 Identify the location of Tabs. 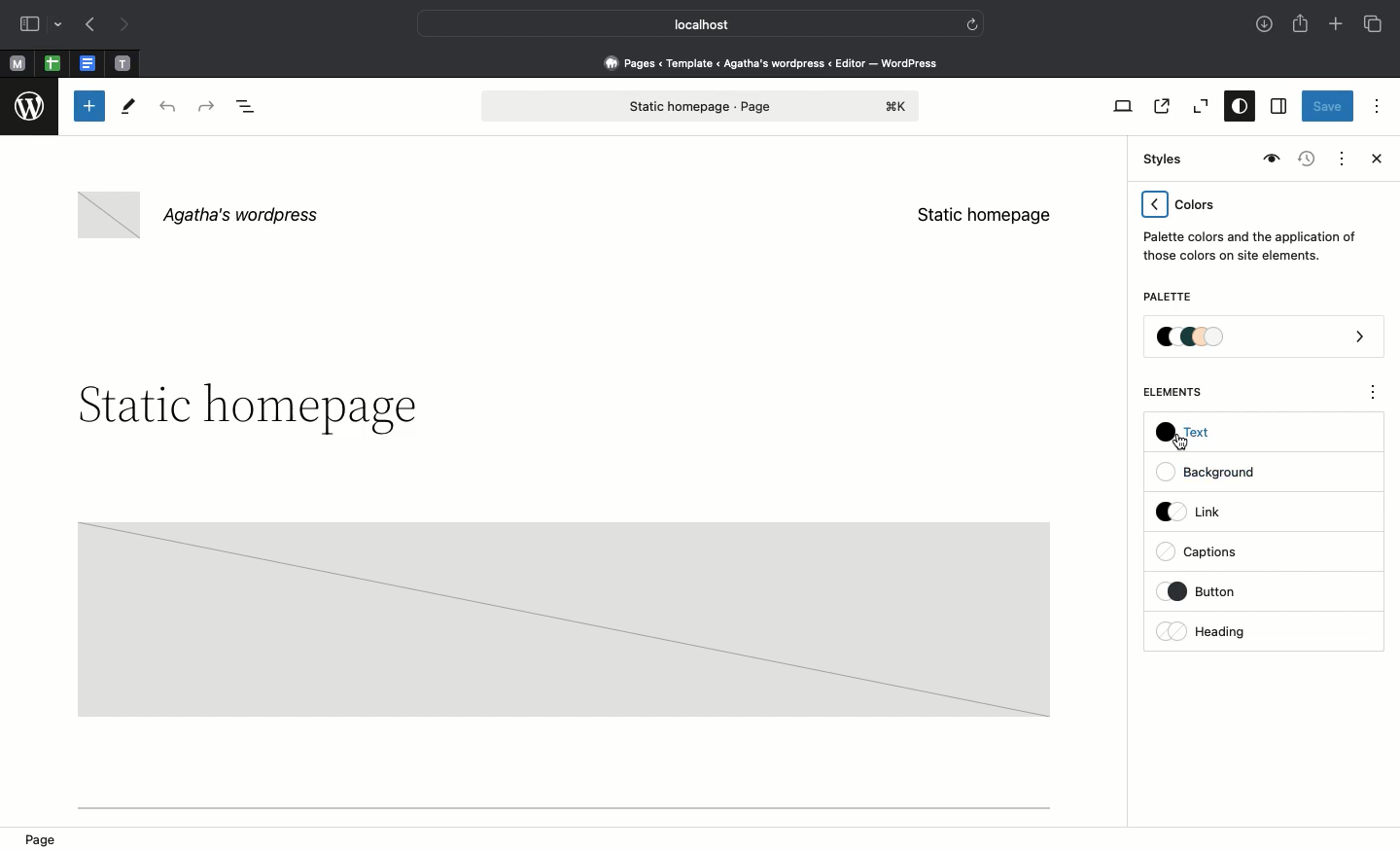
(1375, 24).